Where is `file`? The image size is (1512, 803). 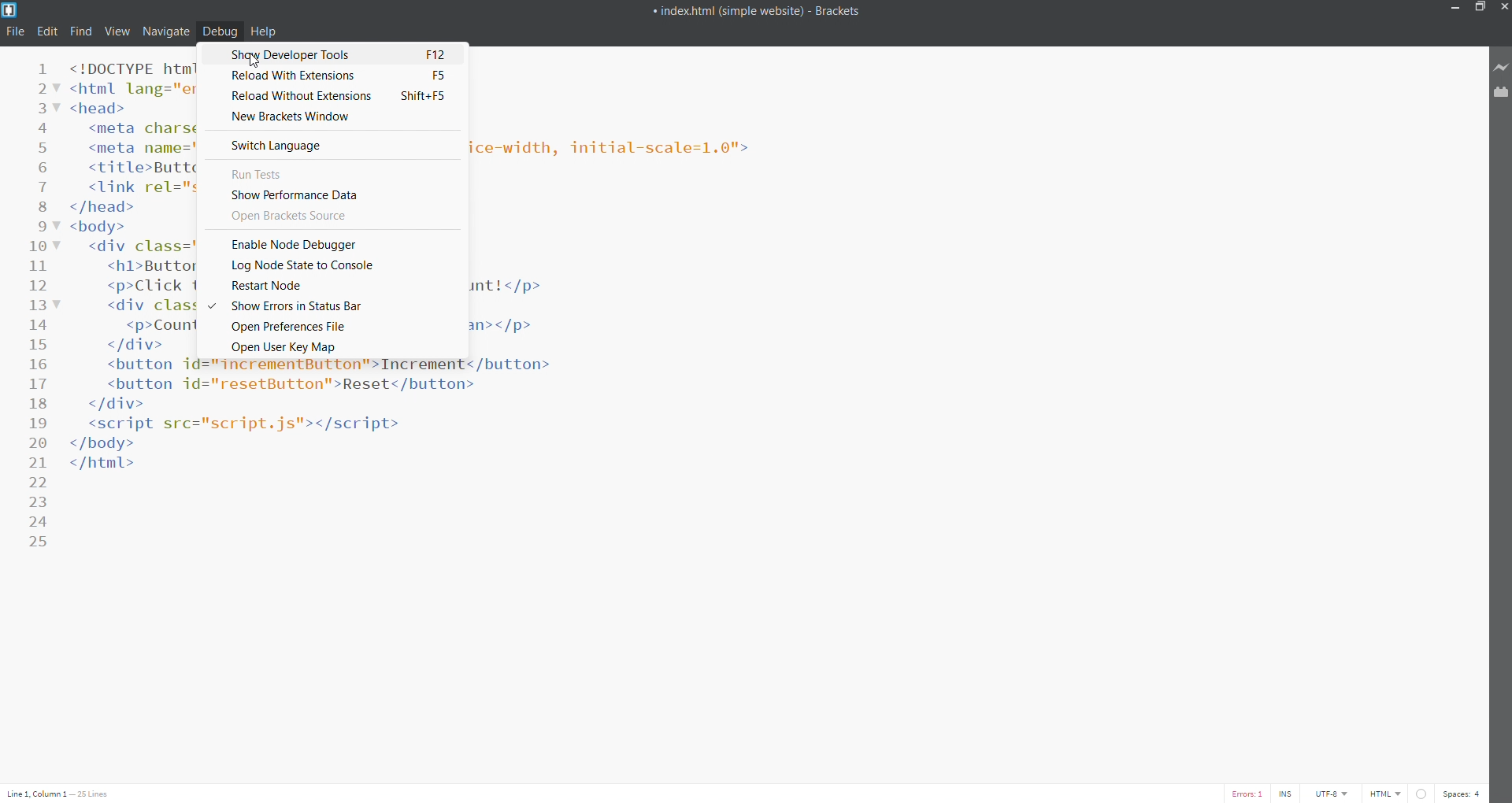
file is located at coordinates (14, 32).